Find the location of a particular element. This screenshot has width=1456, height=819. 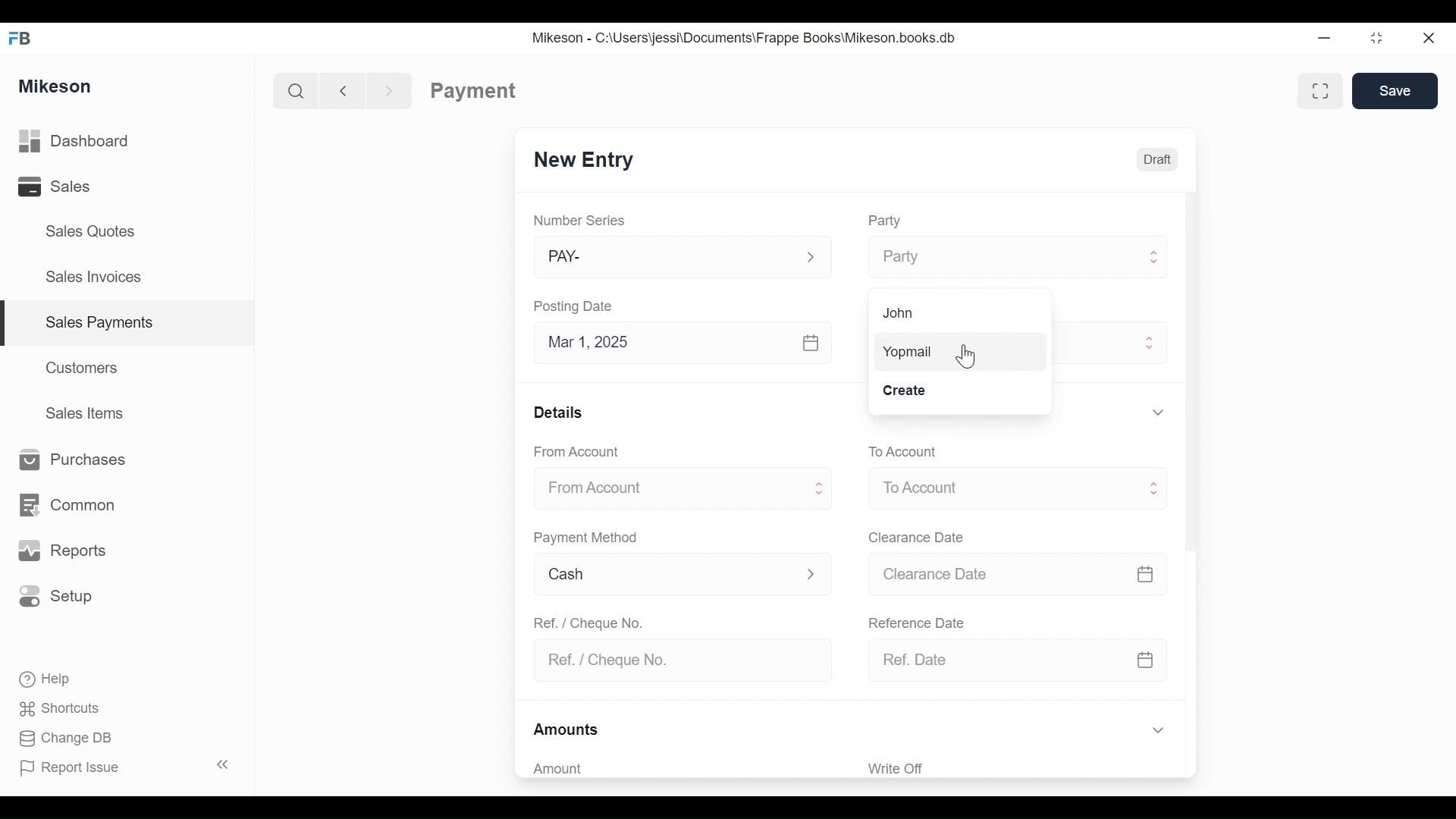

Close is located at coordinates (1426, 36).